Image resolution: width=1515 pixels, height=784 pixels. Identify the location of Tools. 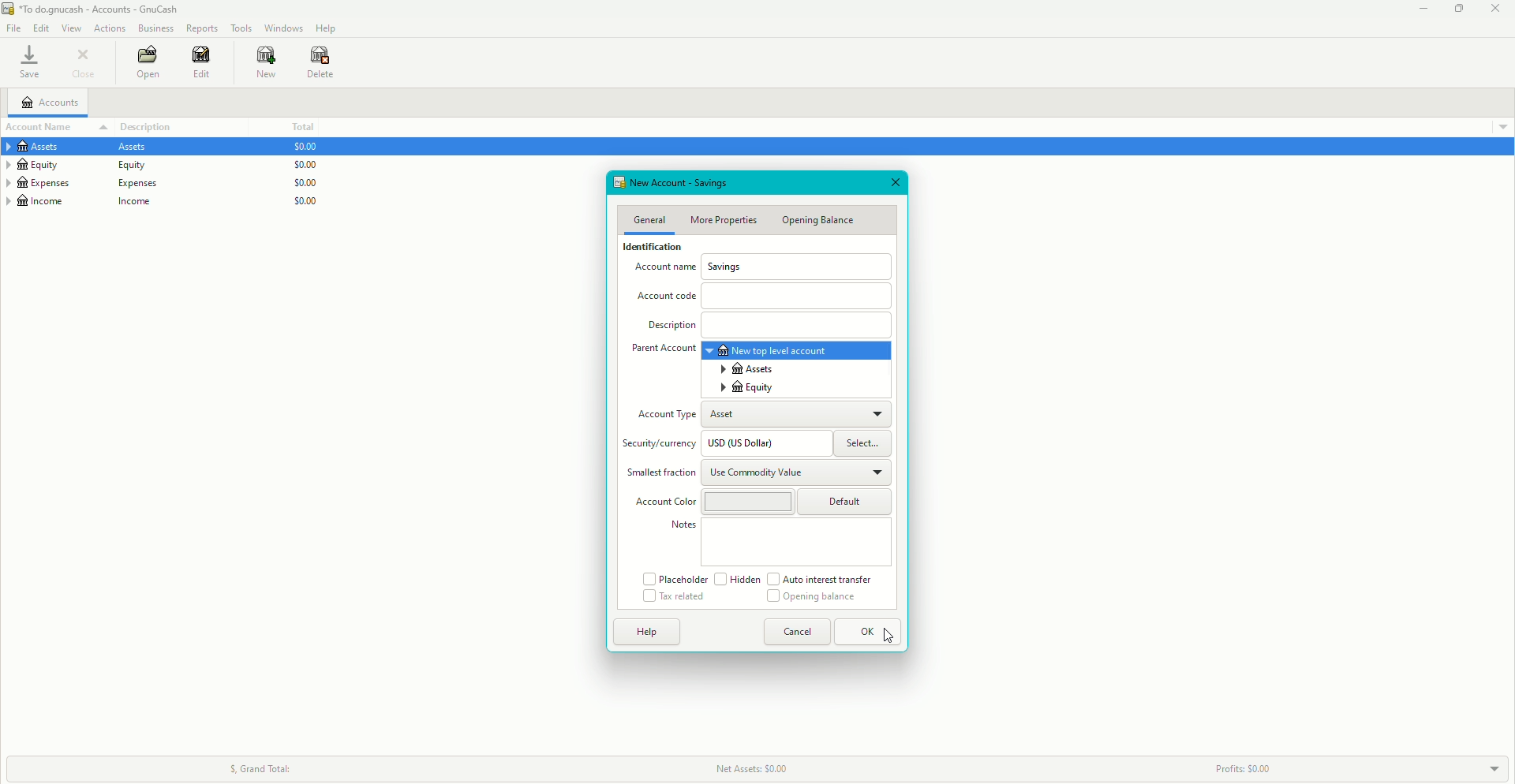
(241, 28).